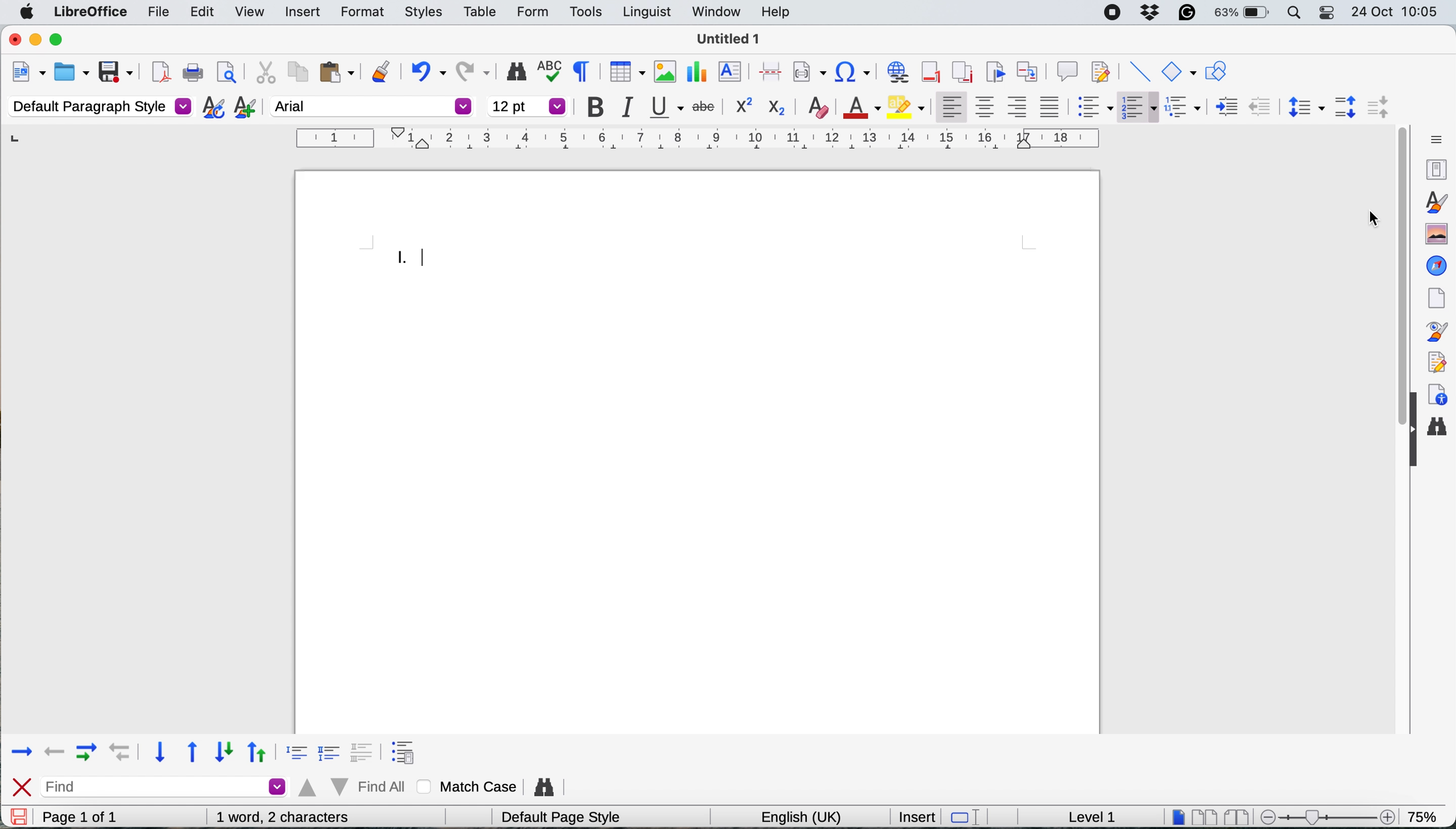 This screenshot has width=1456, height=829. Describe the element at coordinates (381, 70) in the screenshot. I see `clone formatting` at that location.